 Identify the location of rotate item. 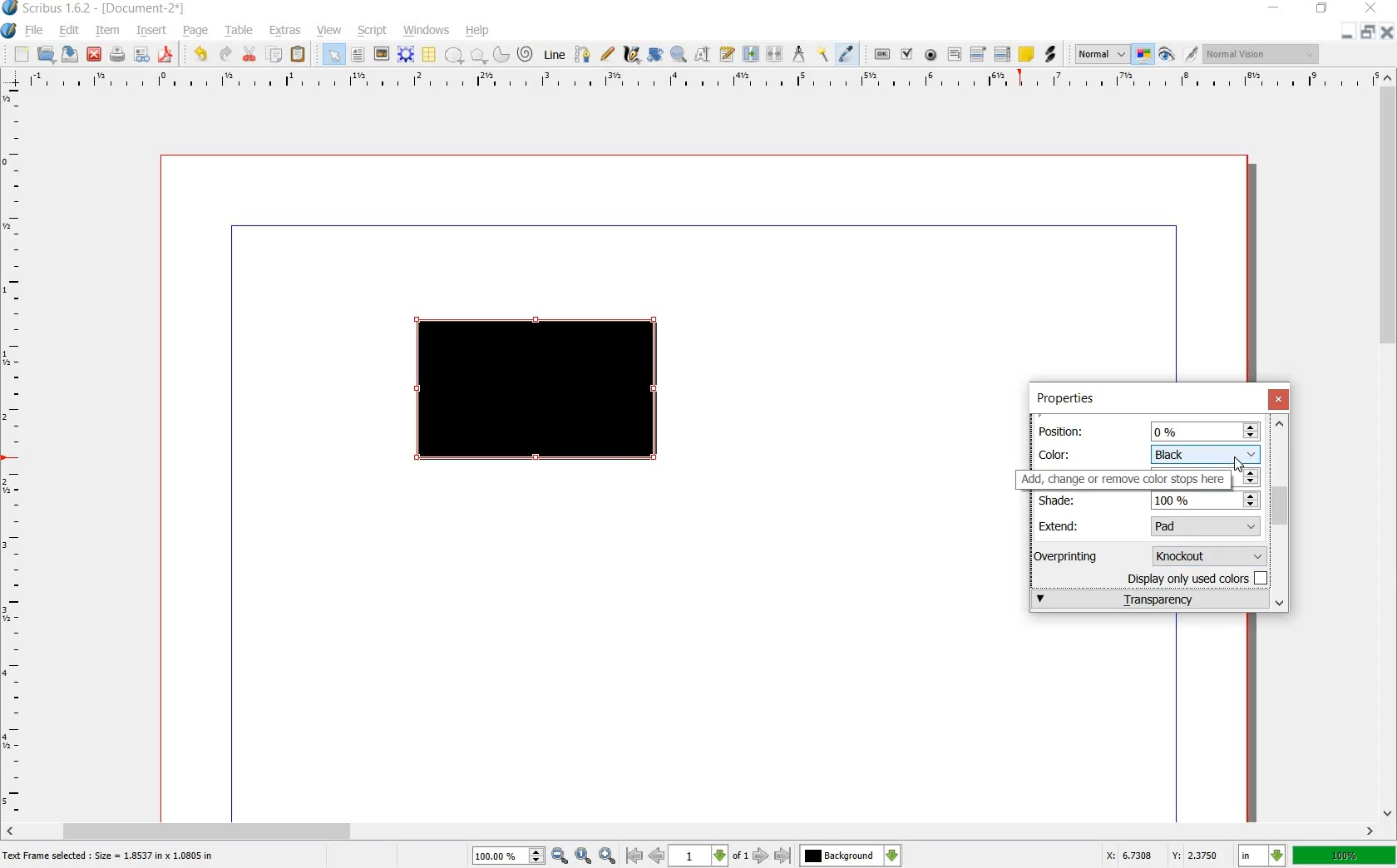
(656, 55).